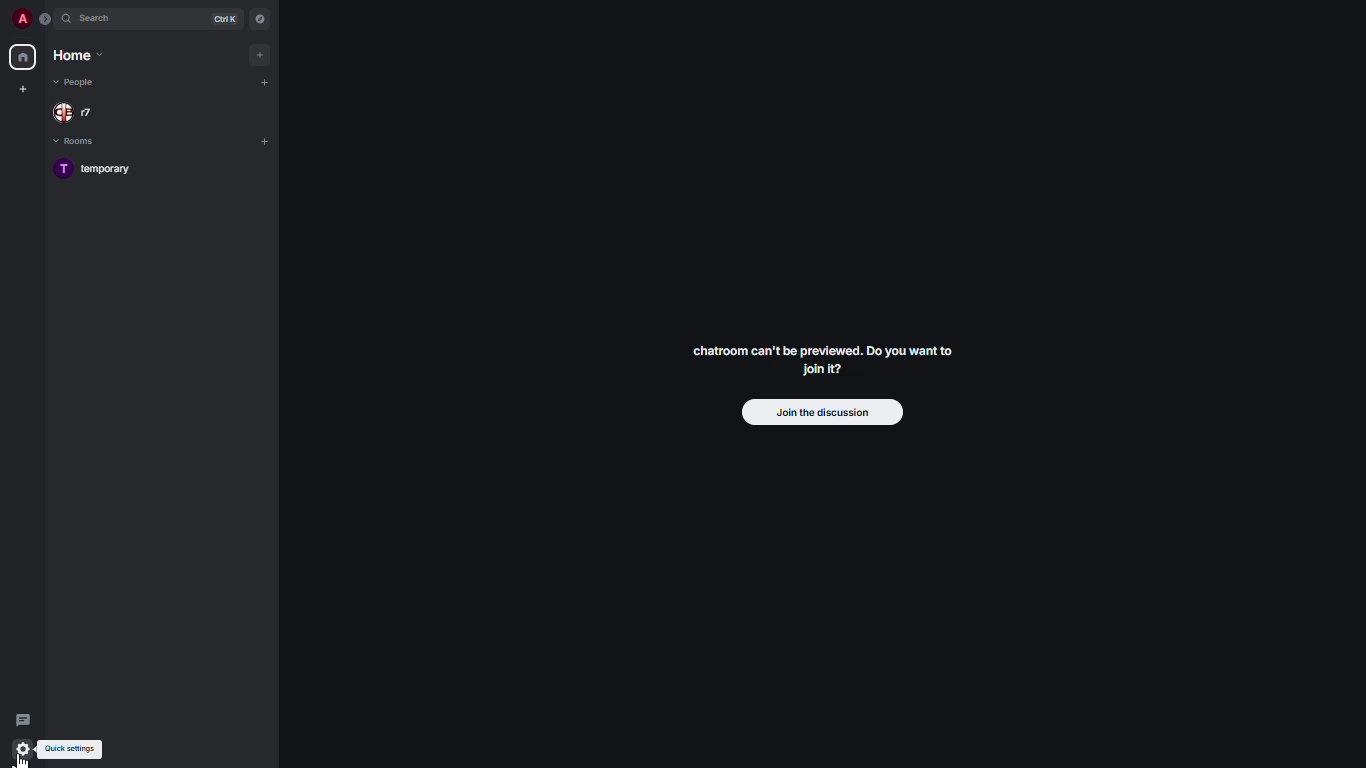  I want to click on quick settings, so click(22, 746).